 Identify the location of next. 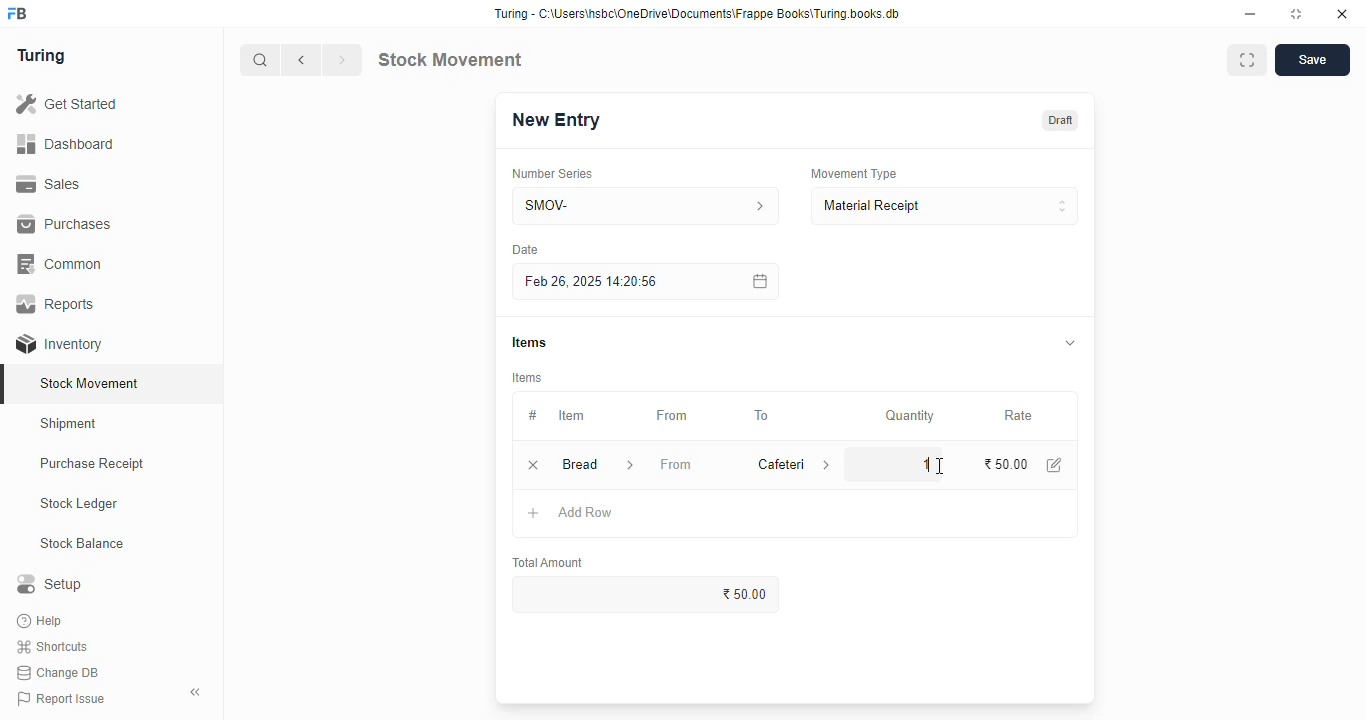
(342, 60).